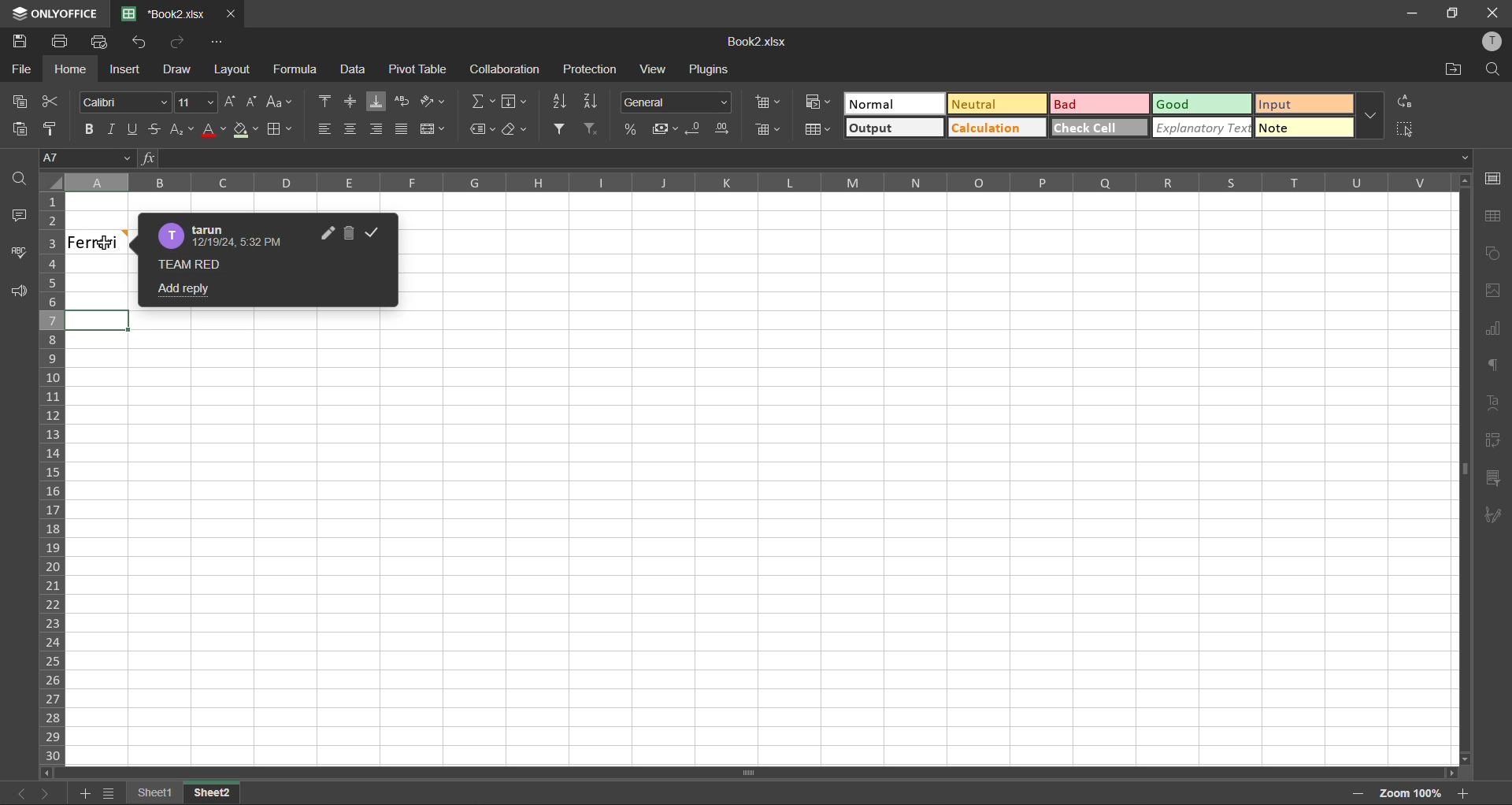 The image size is (1512, 805). I want to click on align center, so click(353, 100).